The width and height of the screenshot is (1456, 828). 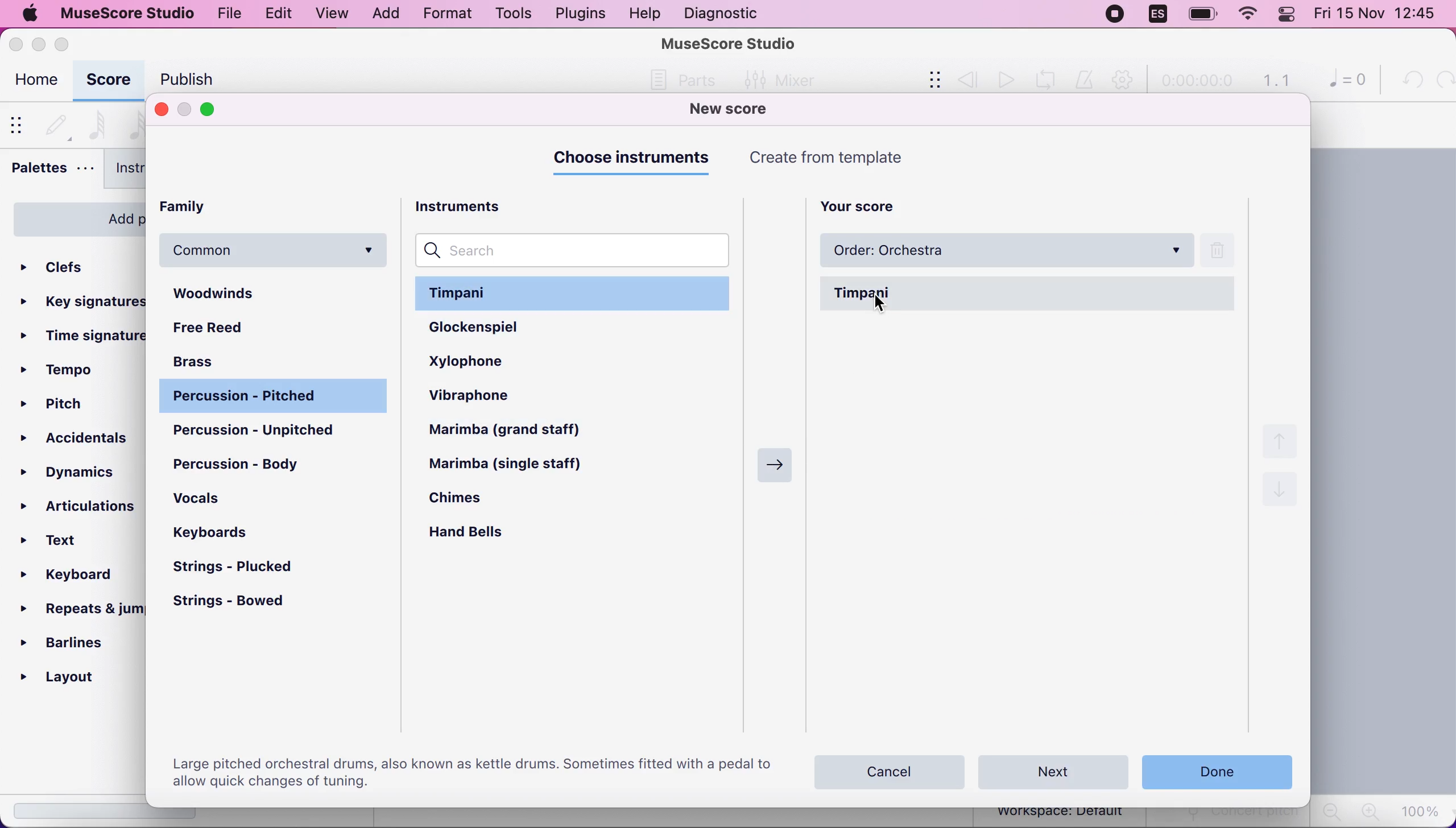 I want to click on 100%, so click(x=1422, y=810).